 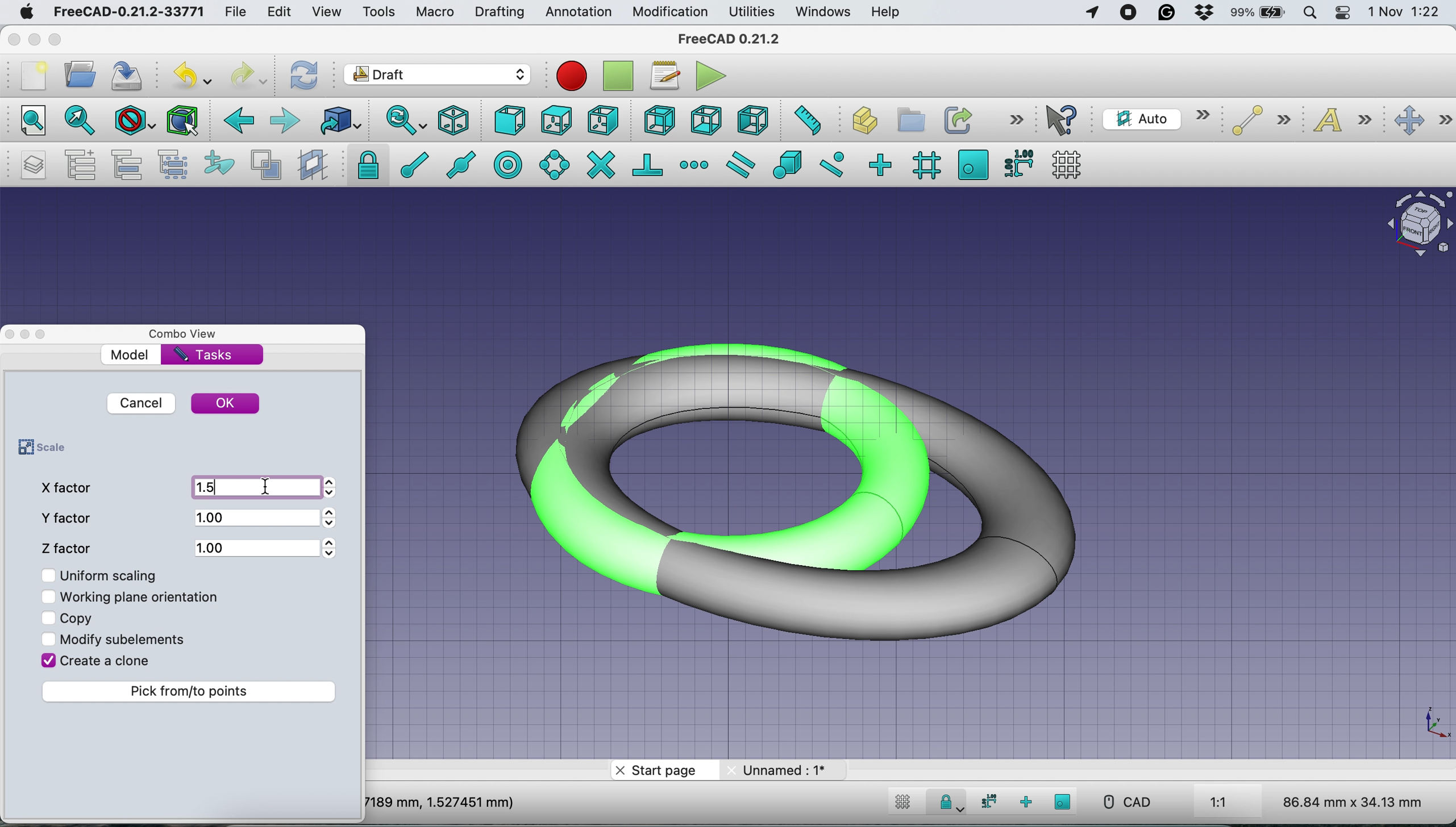 What do you see at coordinates (464, 164) in the screenshot?
I see `snap midpoint` at bounding box center [464, 164].